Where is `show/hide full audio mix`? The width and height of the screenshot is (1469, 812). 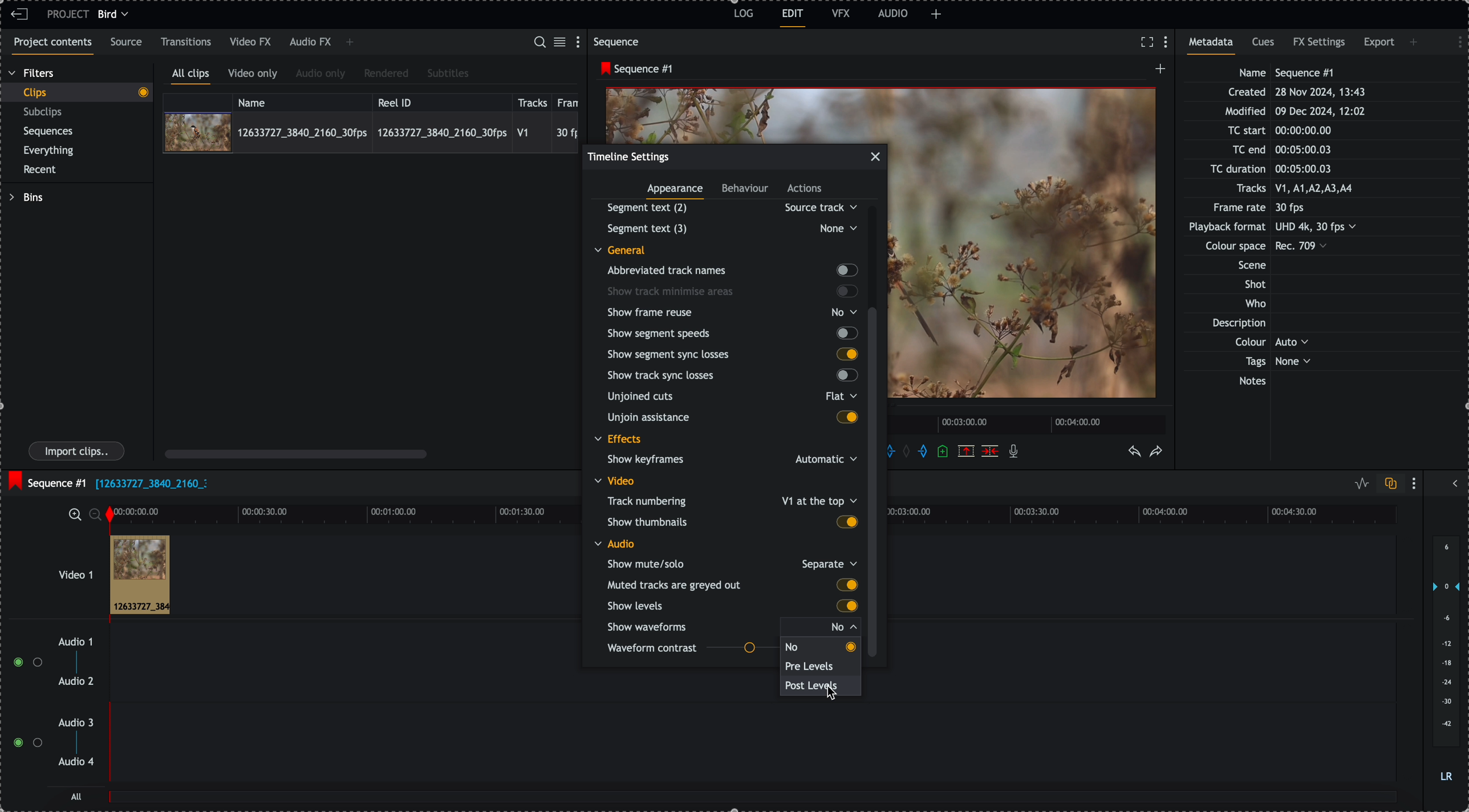
show/hide full audio mix is located at coordinates (1454, 482).